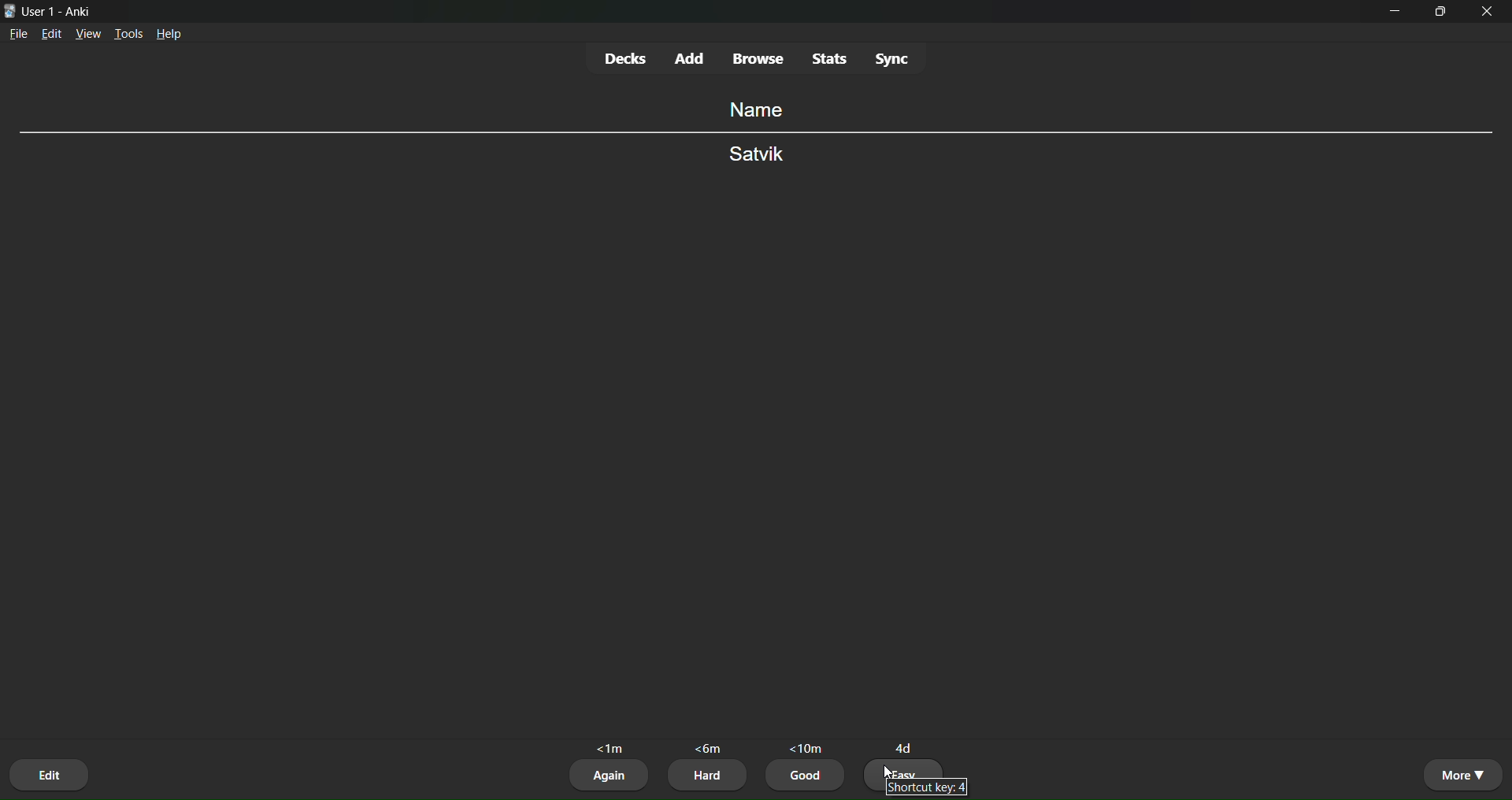 This screenshot has height=800, width=1512. I want to click on easy, so click(907, 768).